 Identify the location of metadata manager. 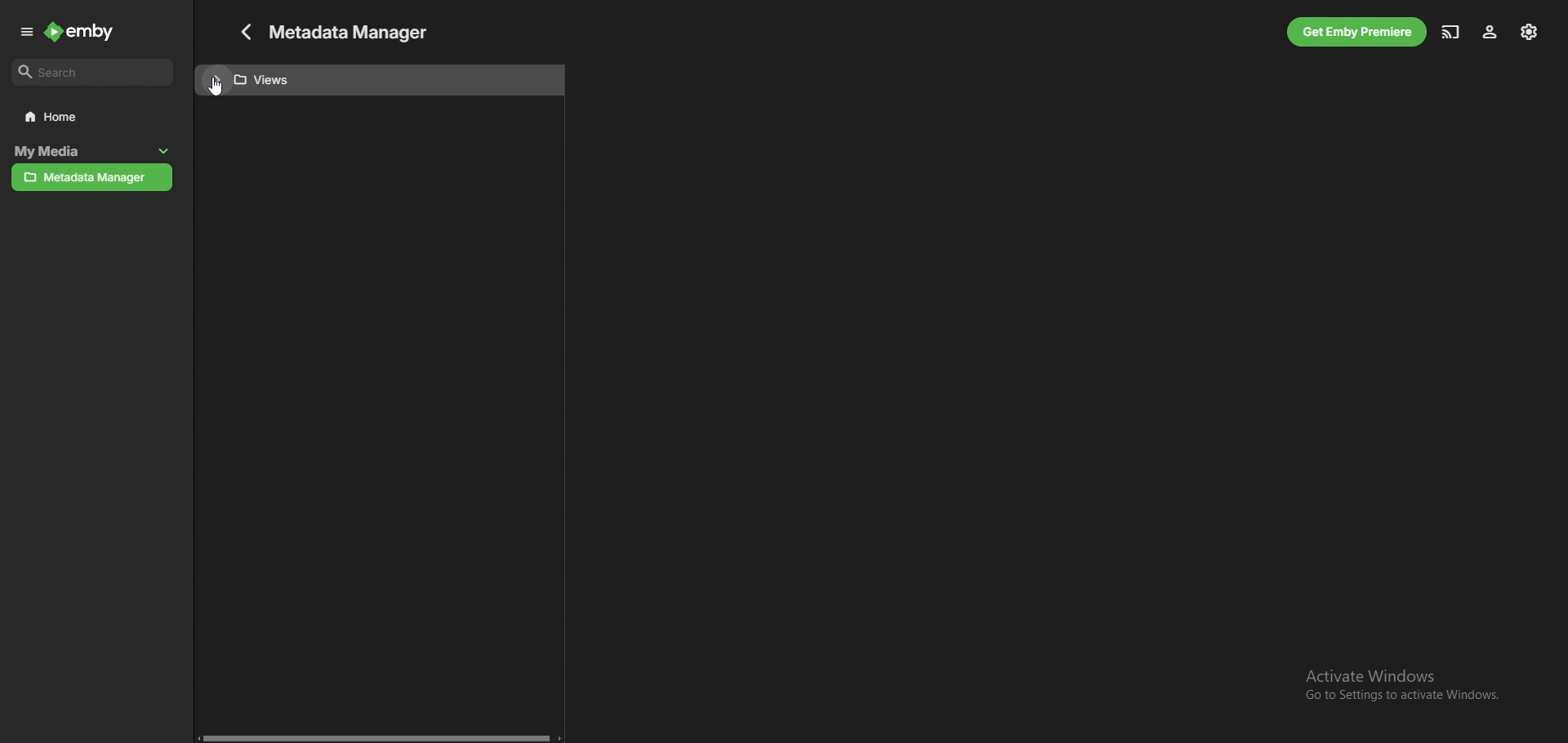
(353, 30).